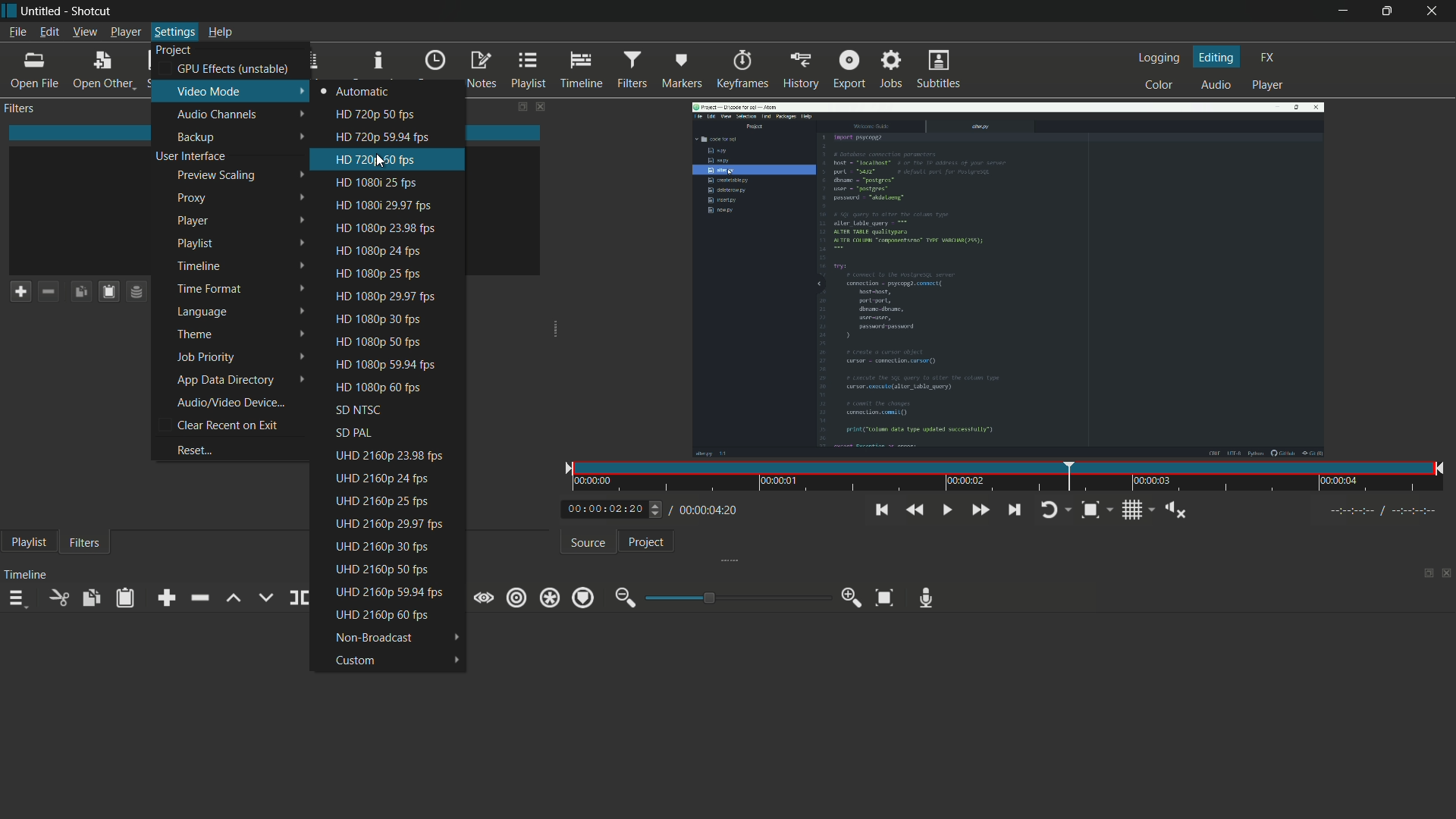  I want to click on add a filter, so click(20, 292).